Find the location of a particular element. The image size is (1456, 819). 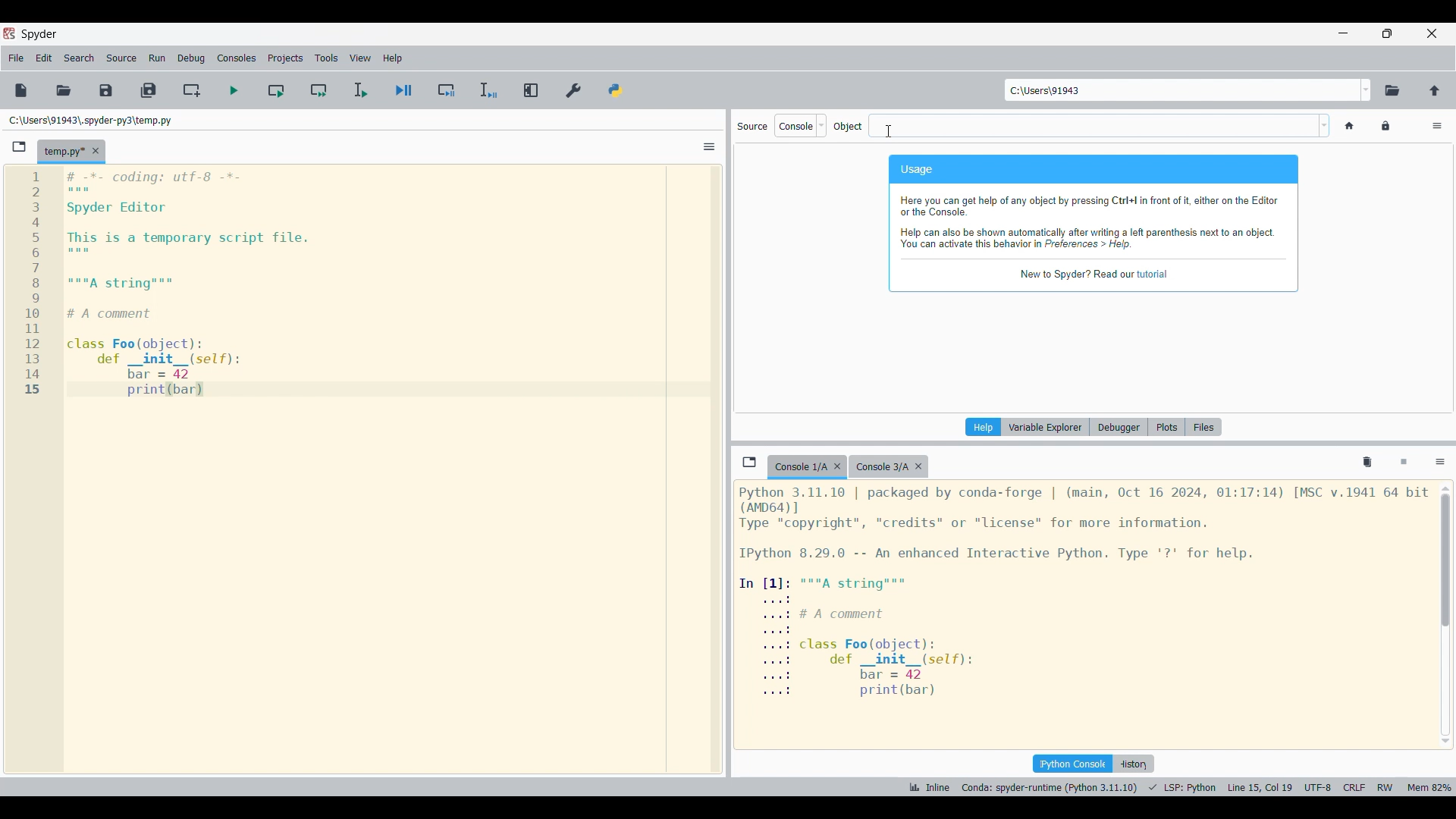

File menu is located at coordinates (16, 58).